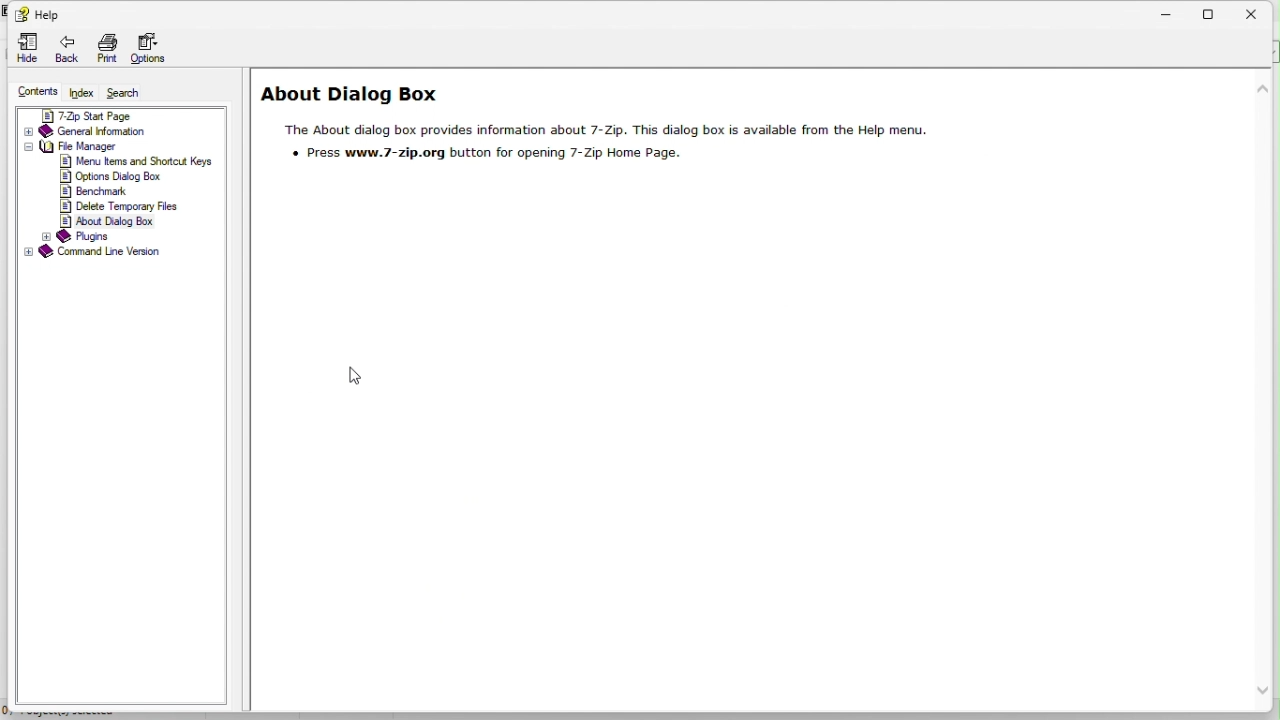  What do you see at coordinates (26, 49) in the screenshot?
I see `hide ` at bounding box center [26, 49].